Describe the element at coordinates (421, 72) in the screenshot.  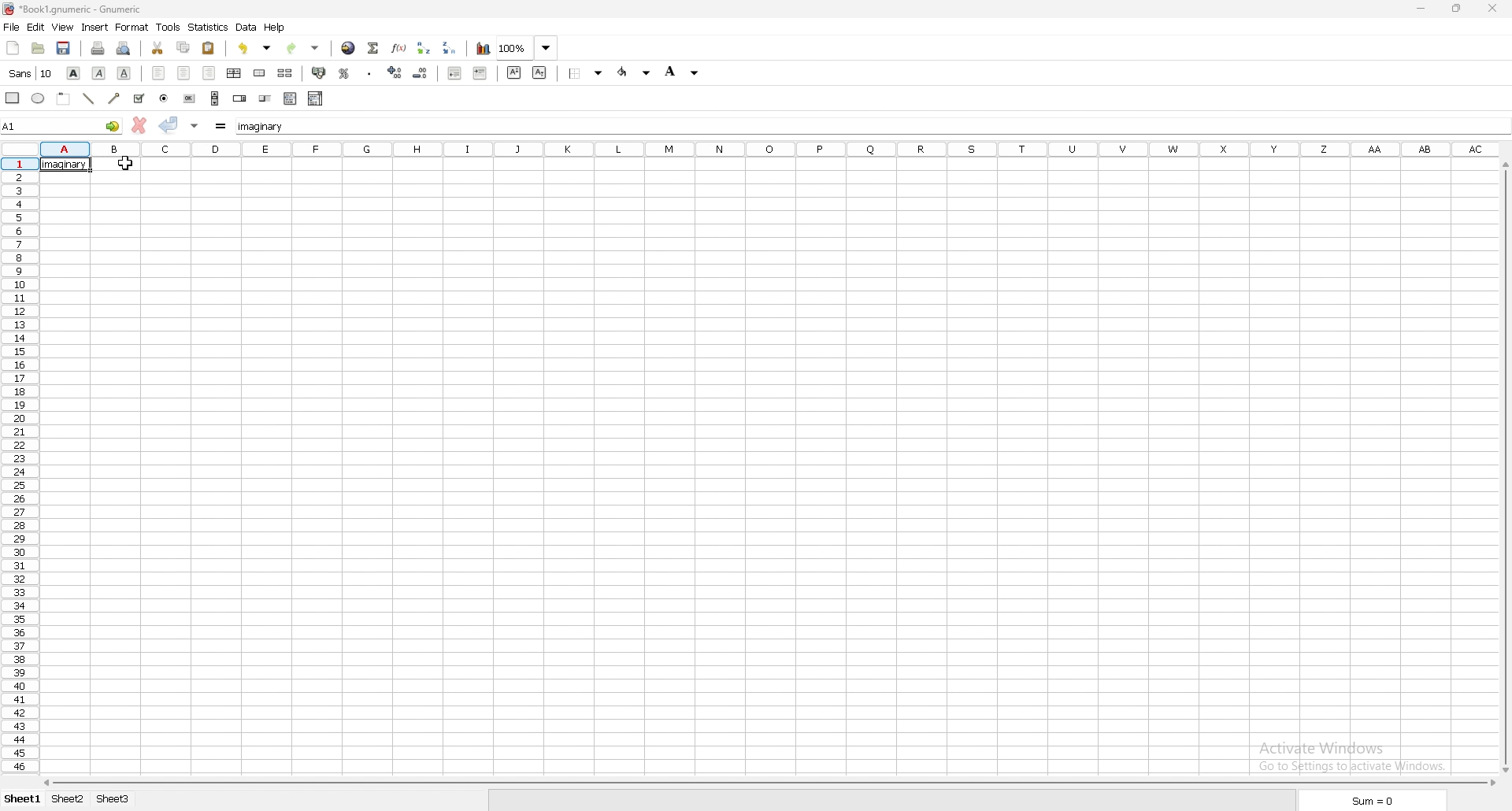
I see `decrease decimals` at that location.